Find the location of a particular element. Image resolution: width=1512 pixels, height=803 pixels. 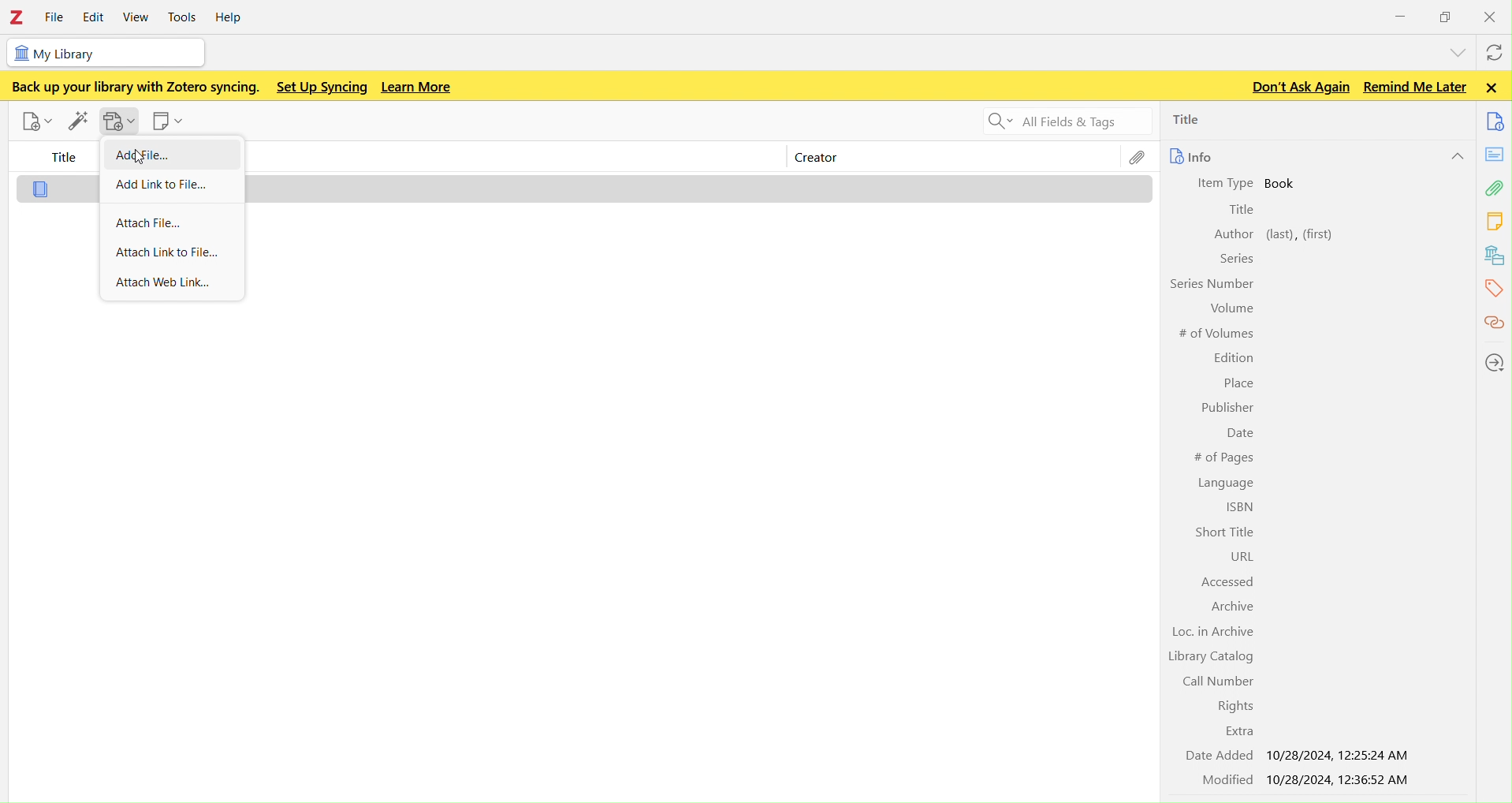

Library Catalog is located at coordinates (1208, 657).